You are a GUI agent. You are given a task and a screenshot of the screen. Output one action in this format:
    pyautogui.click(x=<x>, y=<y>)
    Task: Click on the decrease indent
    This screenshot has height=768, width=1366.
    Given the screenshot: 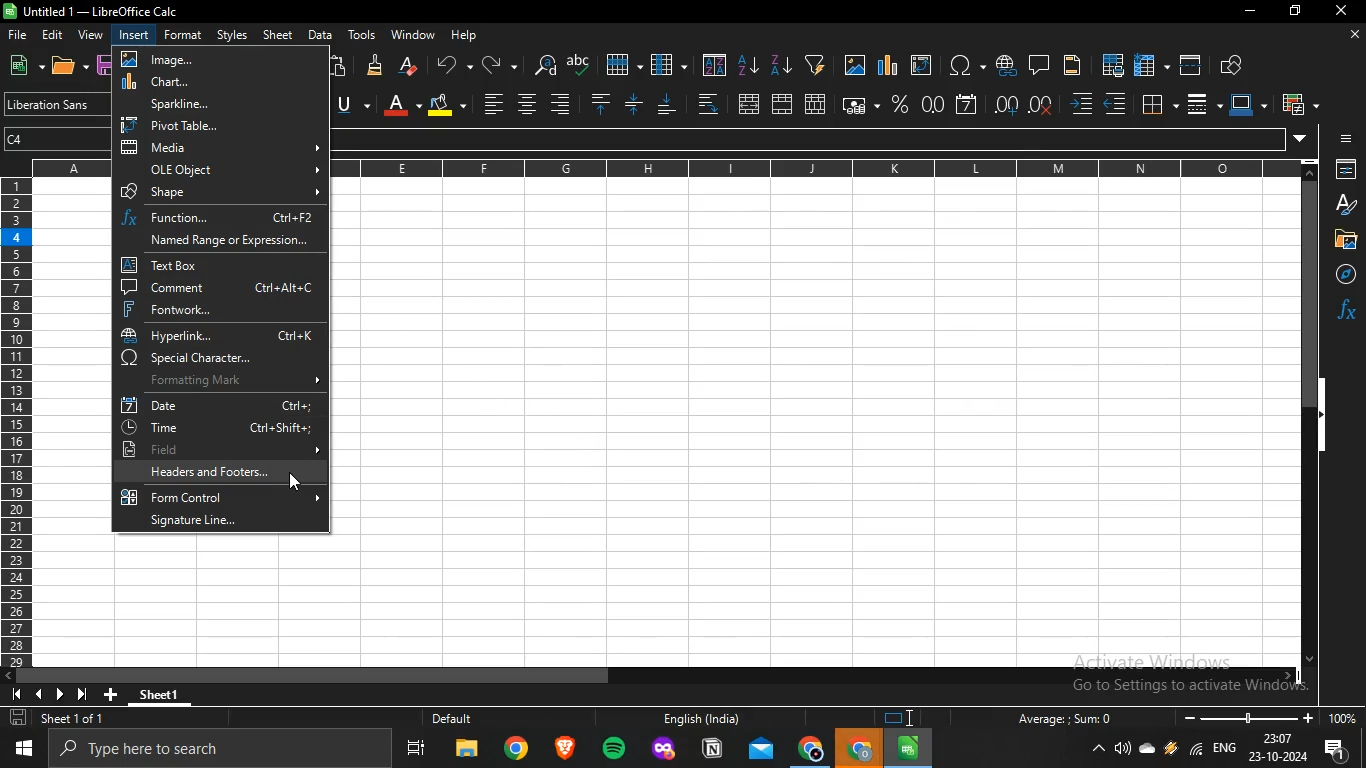 What is the action you would take?
    pyautogui.click(x=1115, y=104)
    